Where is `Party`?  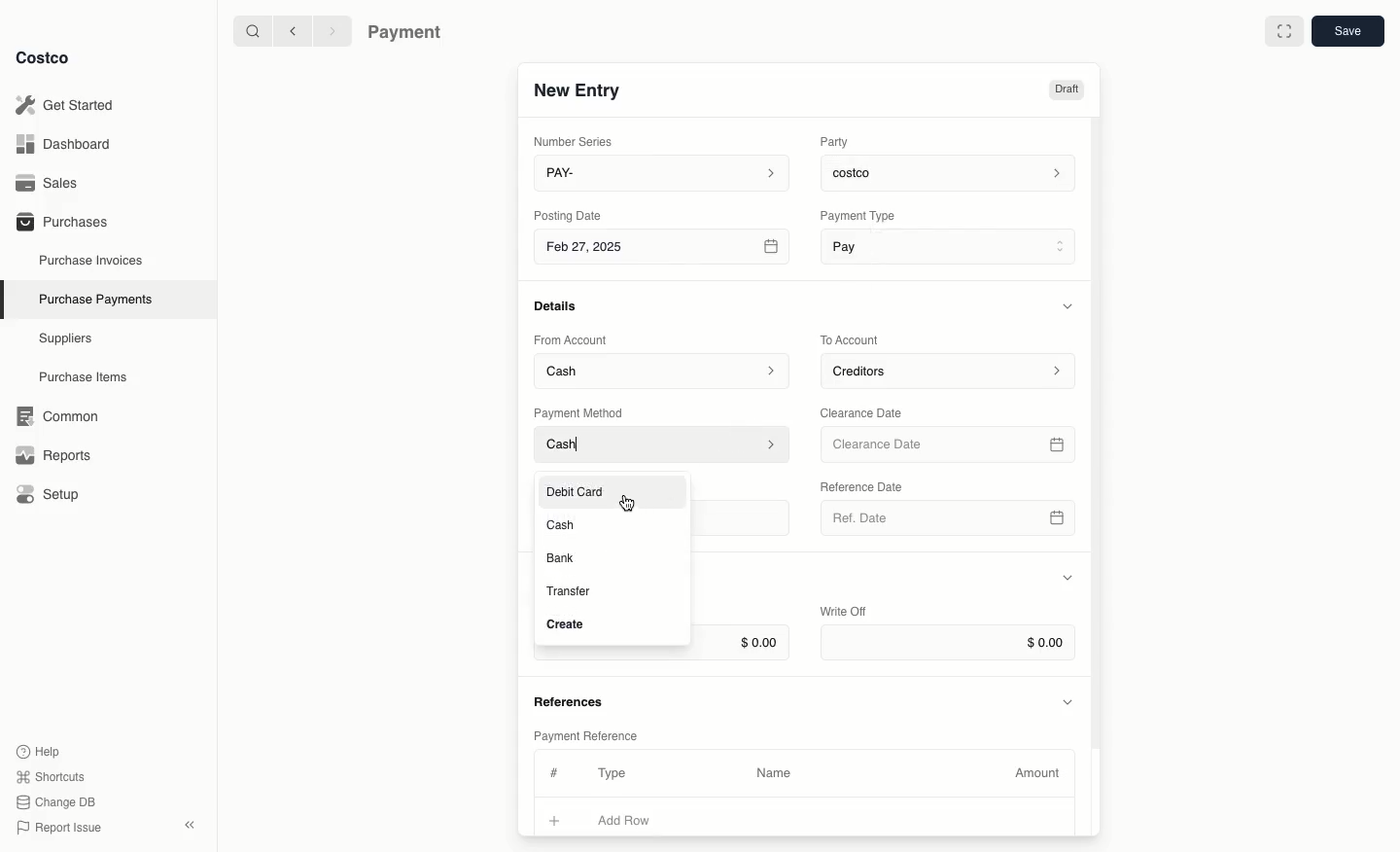
Party is located at coordinates (838, 141).